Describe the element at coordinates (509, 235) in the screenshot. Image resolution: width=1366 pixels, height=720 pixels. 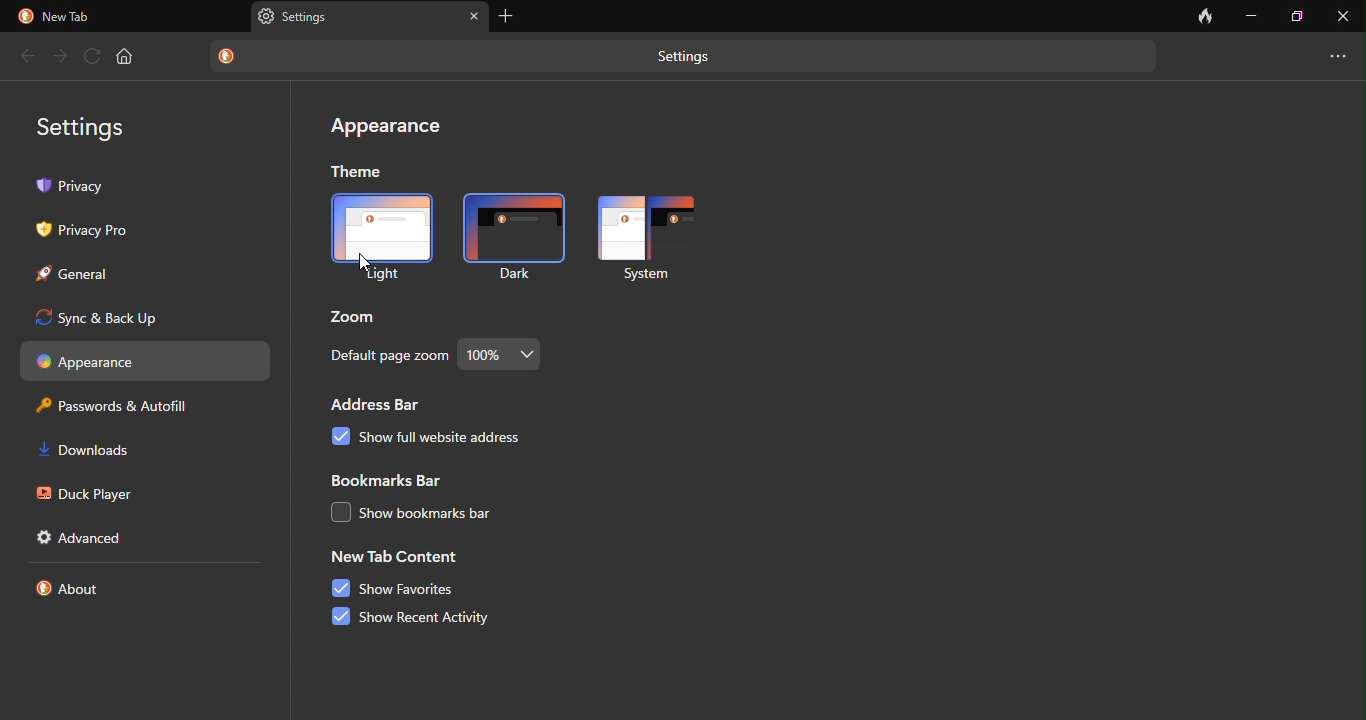
I see `dark` at that location.